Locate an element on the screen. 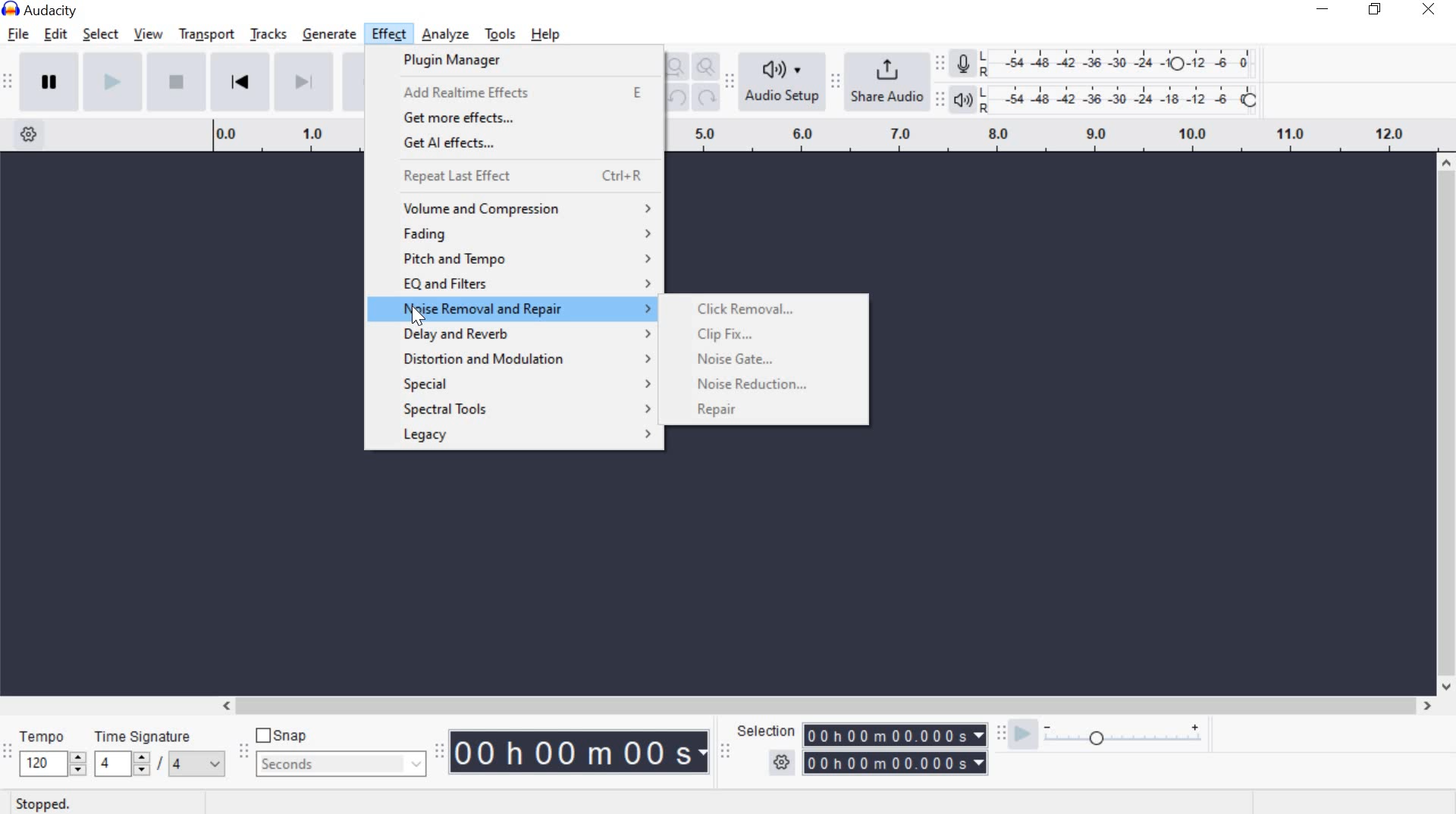 This screenshot has width=1456, height=814. distortion and modulation is located at coordinates (523, 359).